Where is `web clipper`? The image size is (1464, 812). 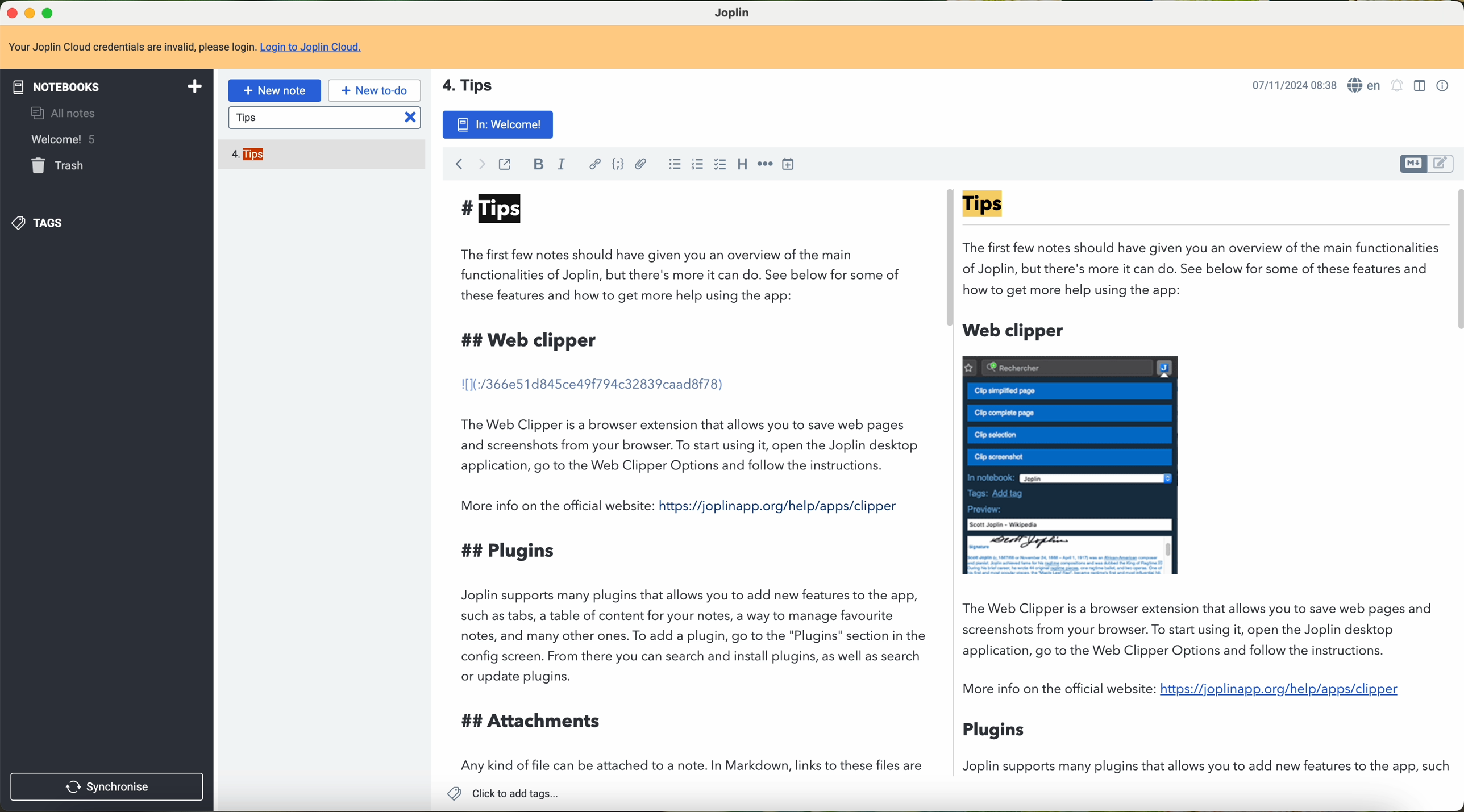 web clipper is located at coordinates (1016, 331).